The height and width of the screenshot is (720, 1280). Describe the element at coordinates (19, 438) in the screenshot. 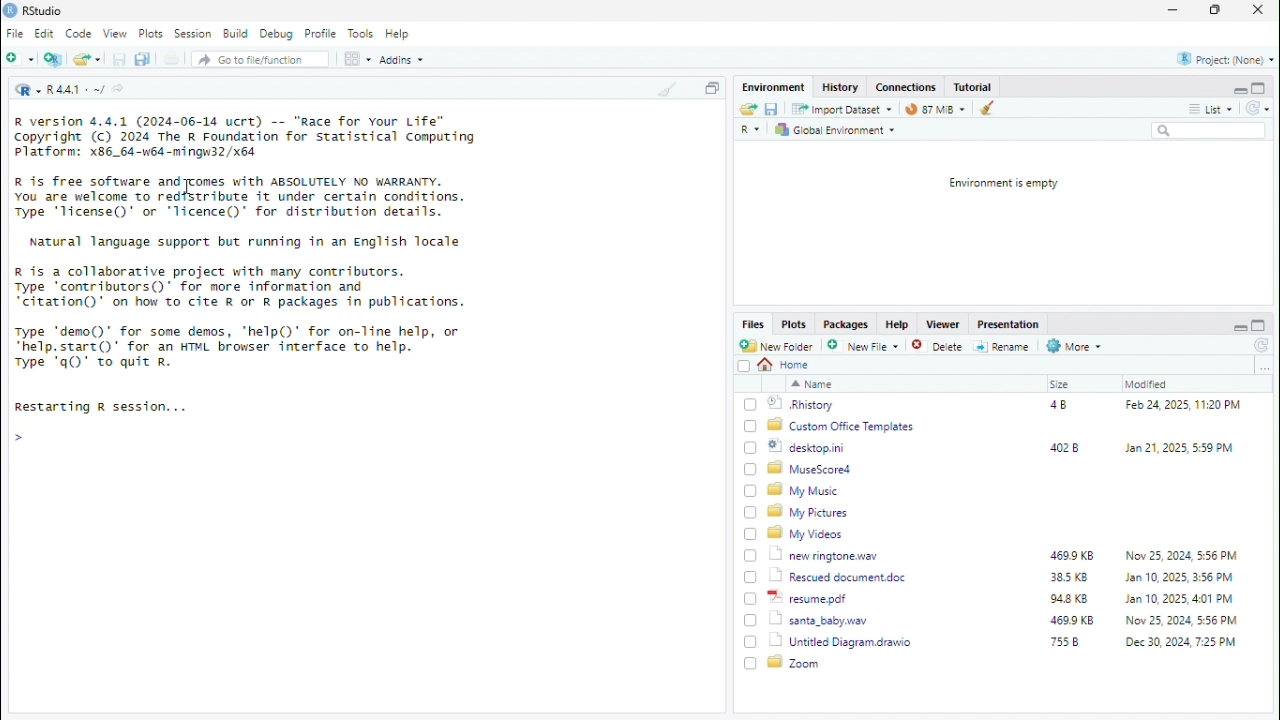

I see `Arrow ` at that location.